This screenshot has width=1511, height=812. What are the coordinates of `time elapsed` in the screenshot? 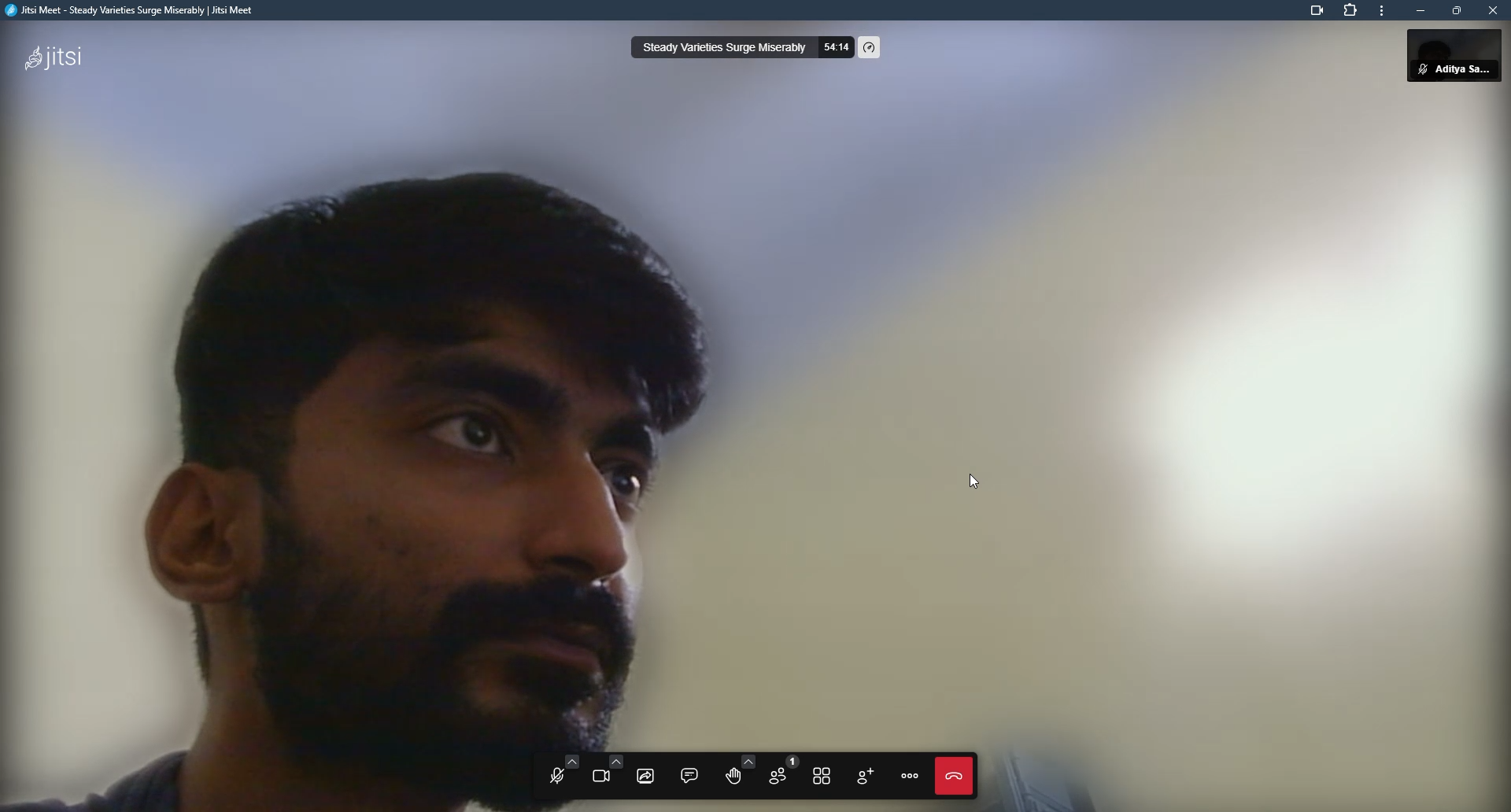 It's located at (834, 48).